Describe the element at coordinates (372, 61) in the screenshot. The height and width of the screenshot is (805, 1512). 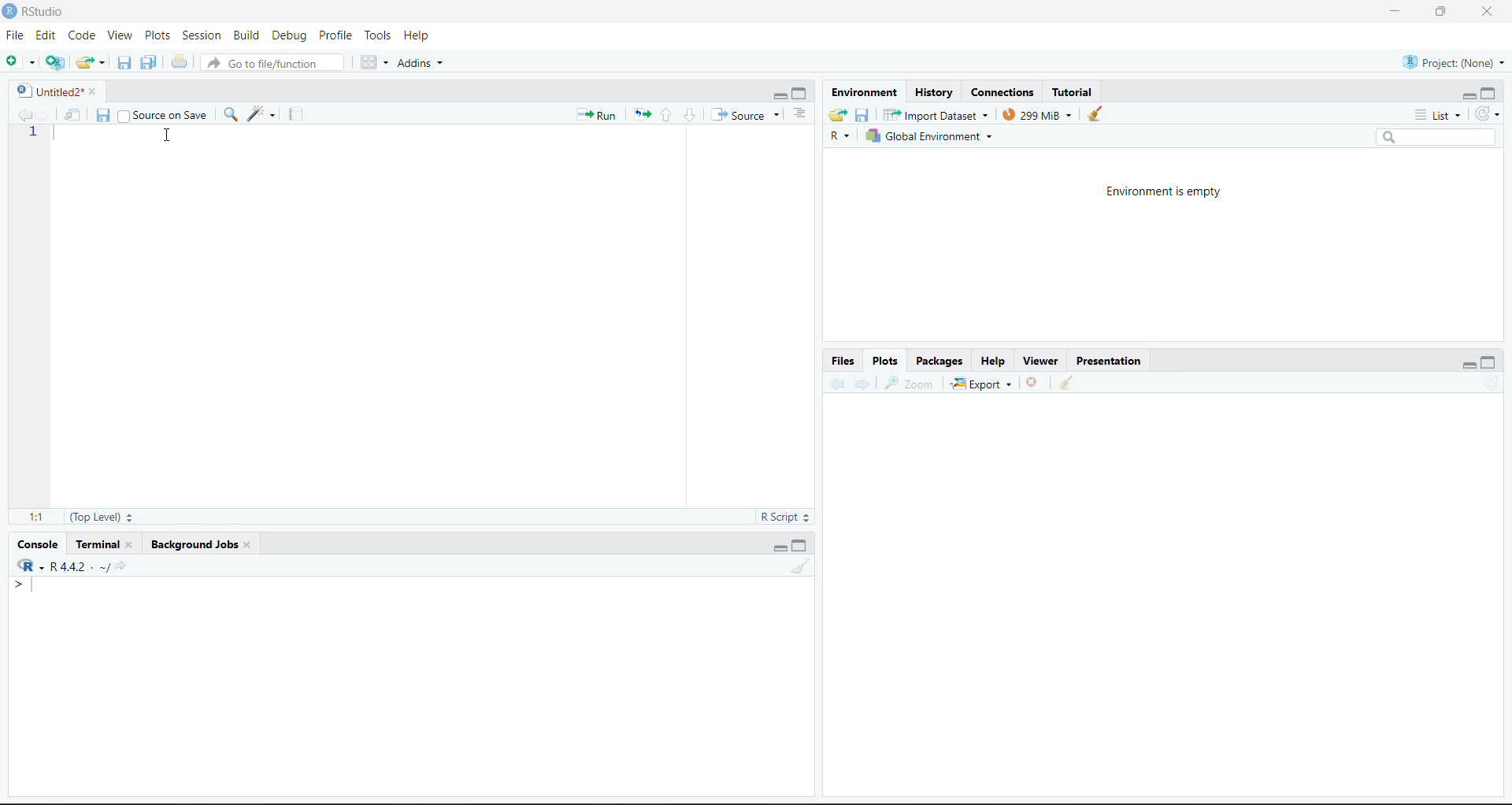
I see `workspace panes` at that location.